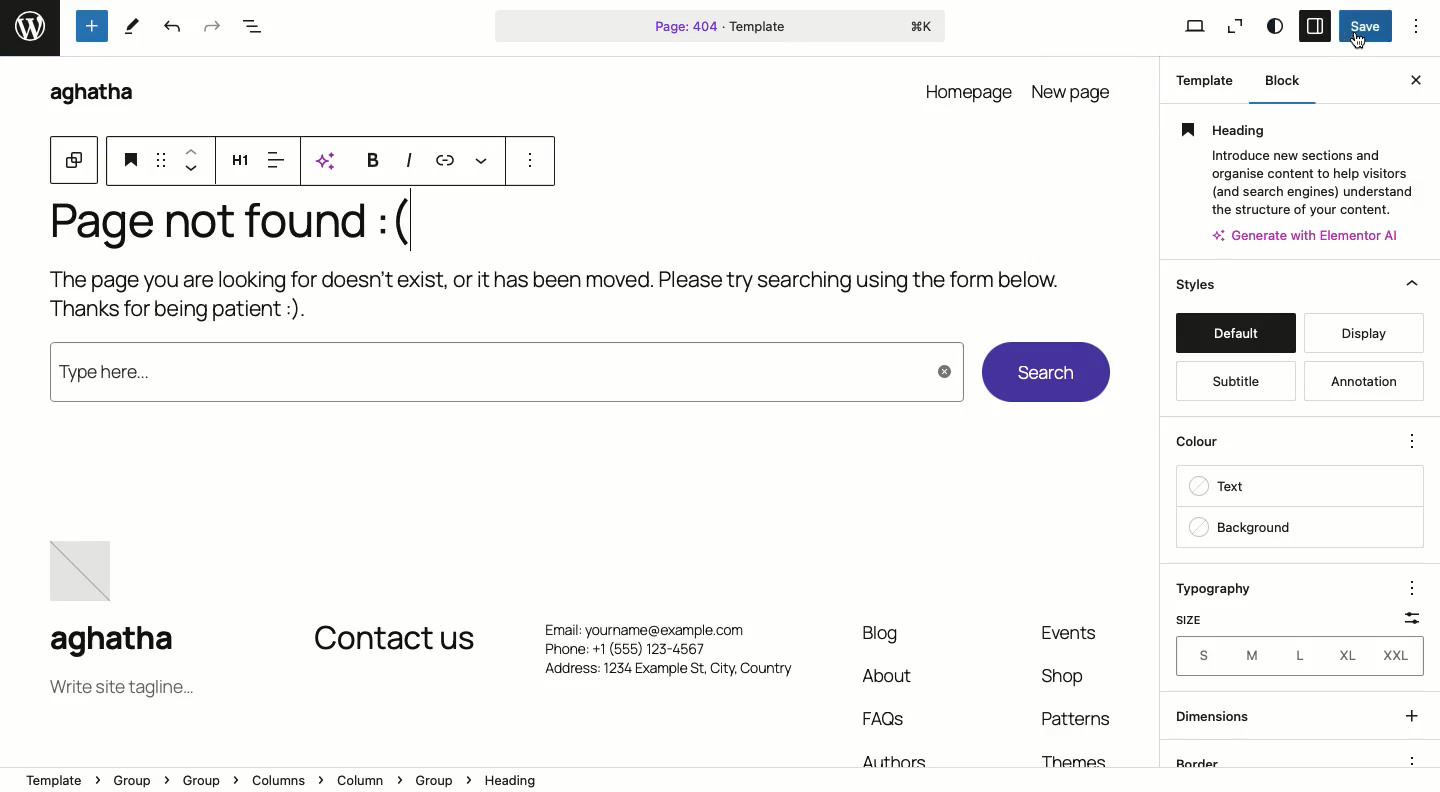 Image resolution: width=1440 pixels, height=792 pixels. Describe the element at coordinates (1302, 657) in the screenshot. I see `L` at that location.